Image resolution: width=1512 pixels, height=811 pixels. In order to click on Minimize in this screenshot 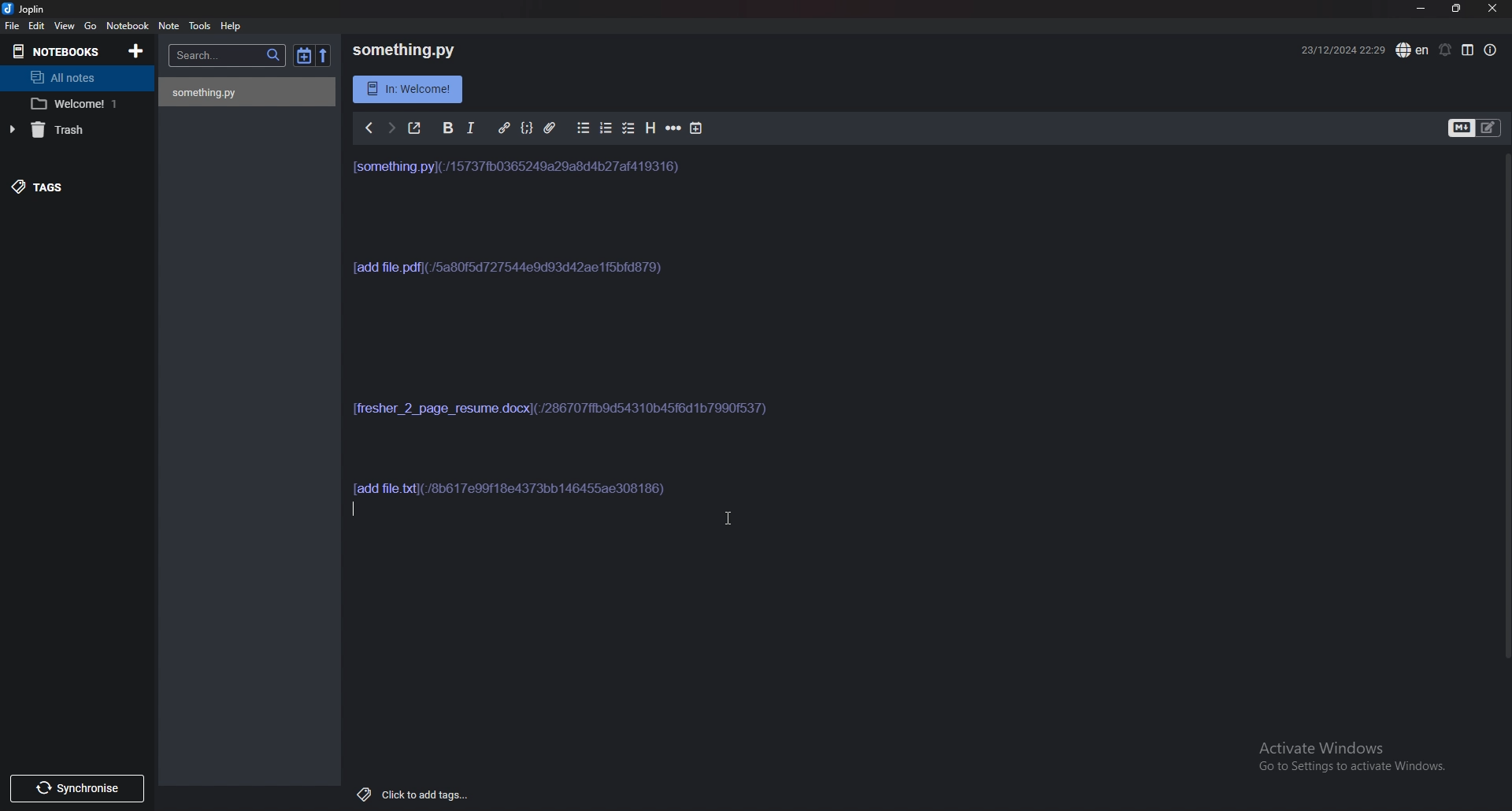, I will do `click(1423, 9)`.